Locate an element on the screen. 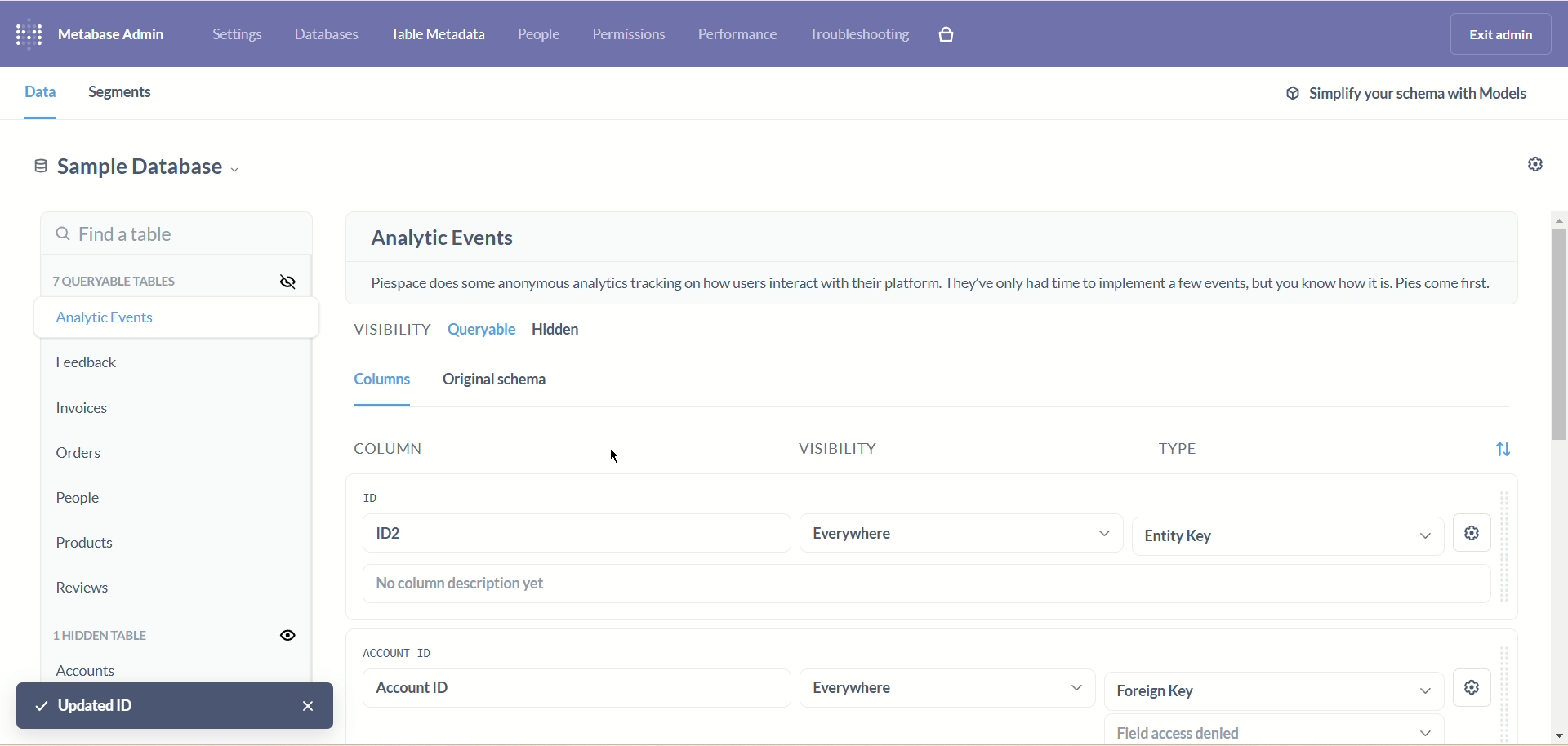 The height and width of the screenshot is (746, 1568). ID2 is located at coordinates (577, 533).